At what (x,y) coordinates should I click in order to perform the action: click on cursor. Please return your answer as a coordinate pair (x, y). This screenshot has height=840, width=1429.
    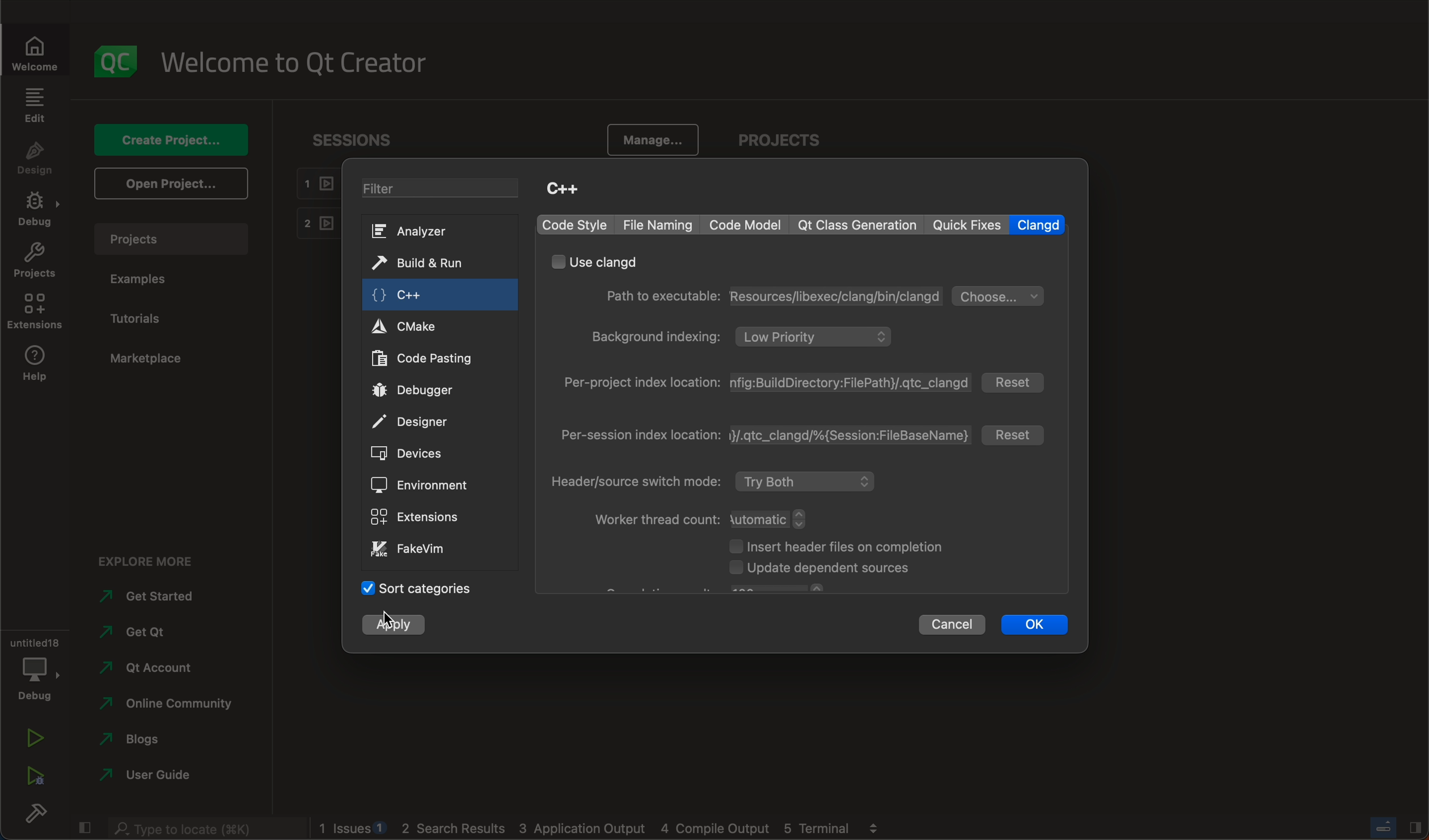
    Looking at the image, I should click on (389, 618).